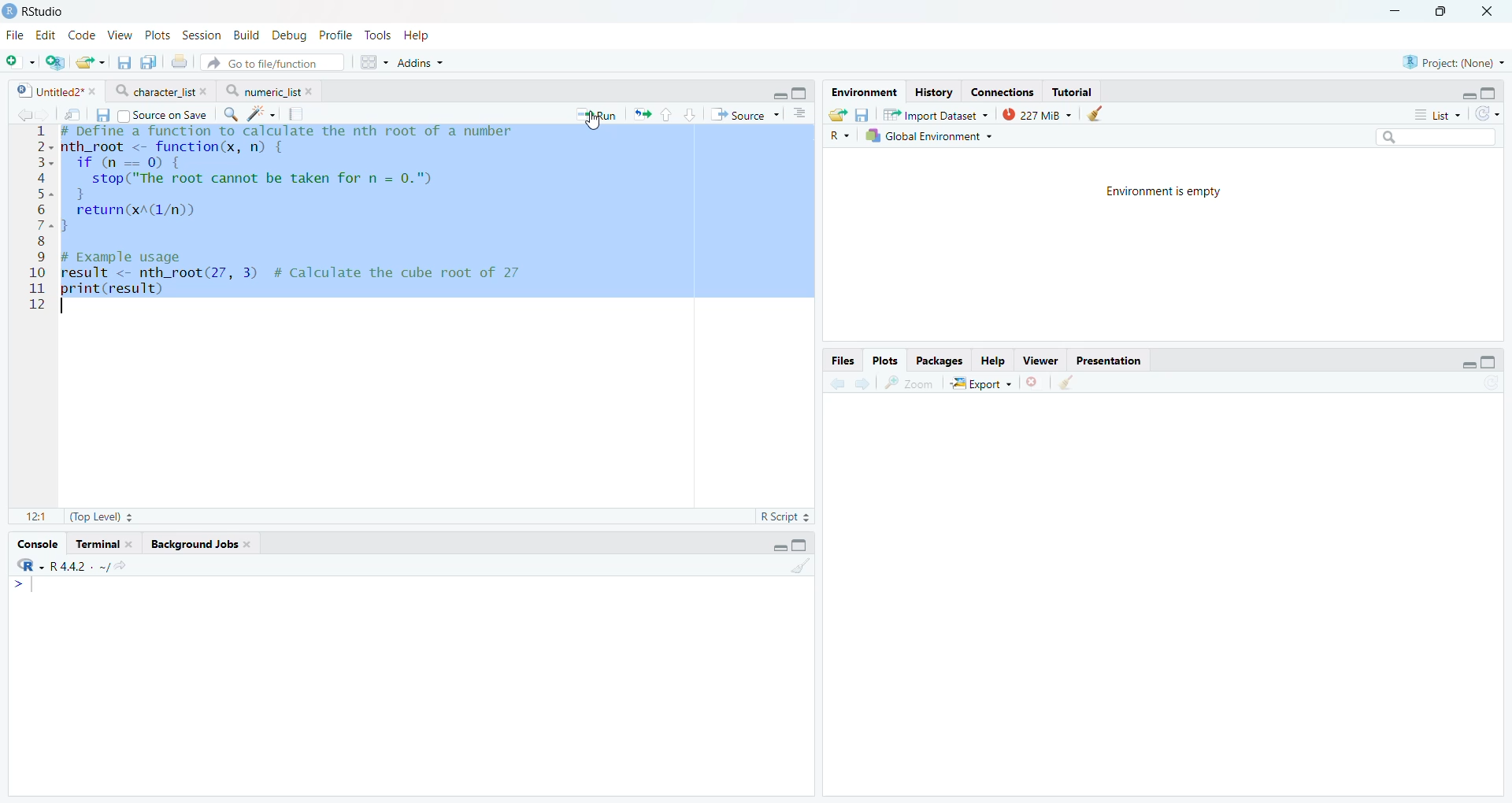  What do you see at coordinates (298, 113) in the screenshot?
I see `Compile report` at bounding box center [298, 113].